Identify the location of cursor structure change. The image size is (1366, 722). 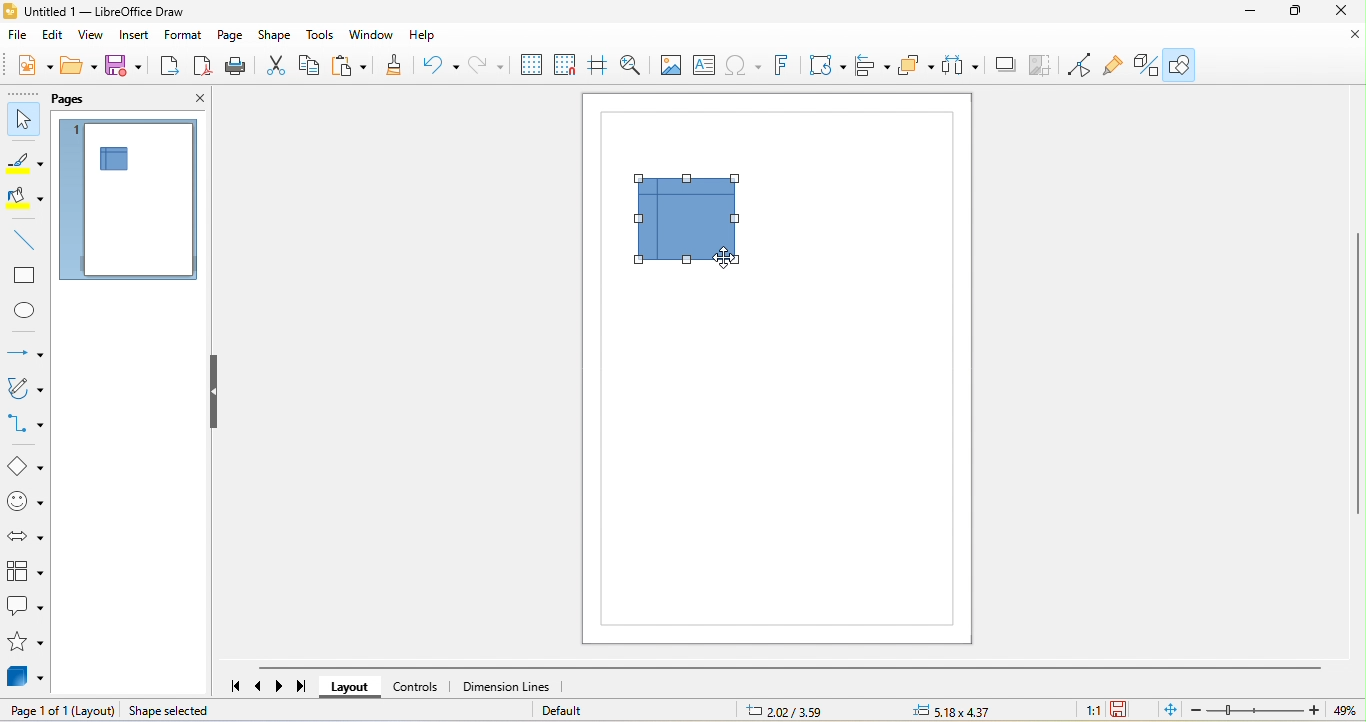
(730, 259).